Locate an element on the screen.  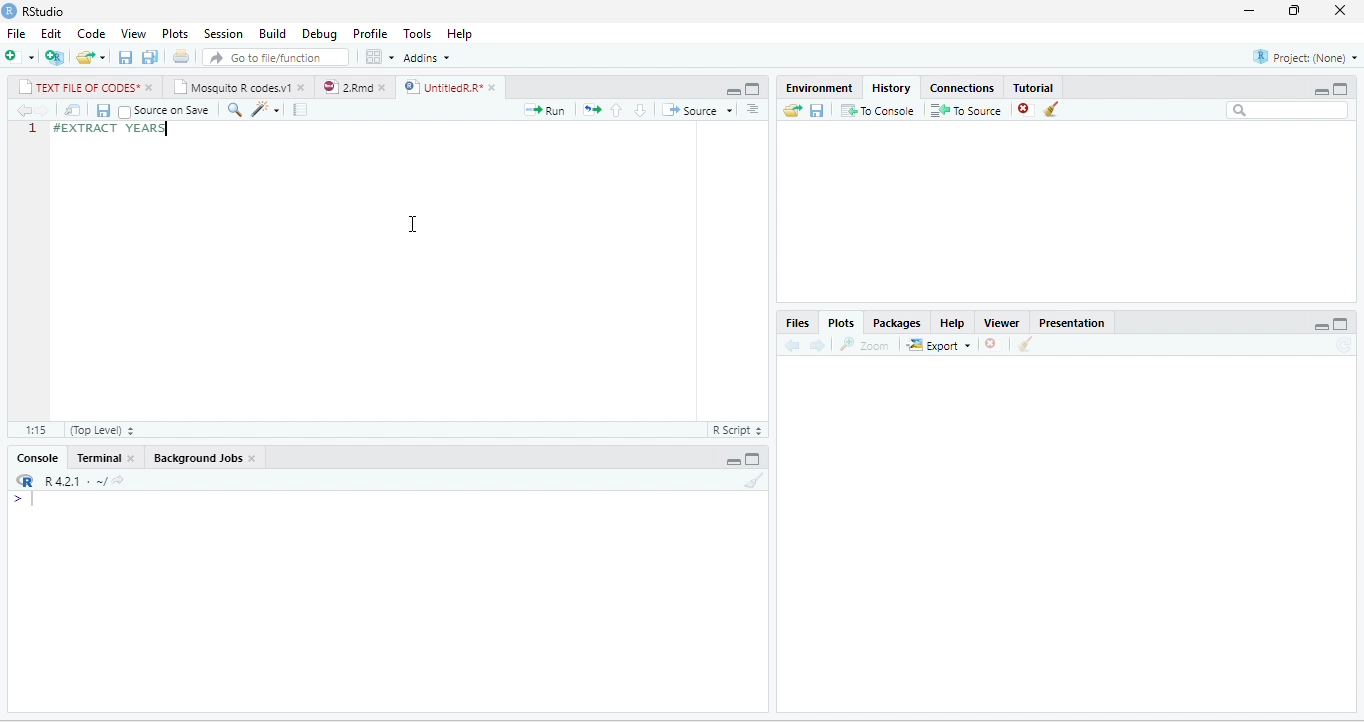
#EXTRACT YEARS is located at coordinates (113, 129).